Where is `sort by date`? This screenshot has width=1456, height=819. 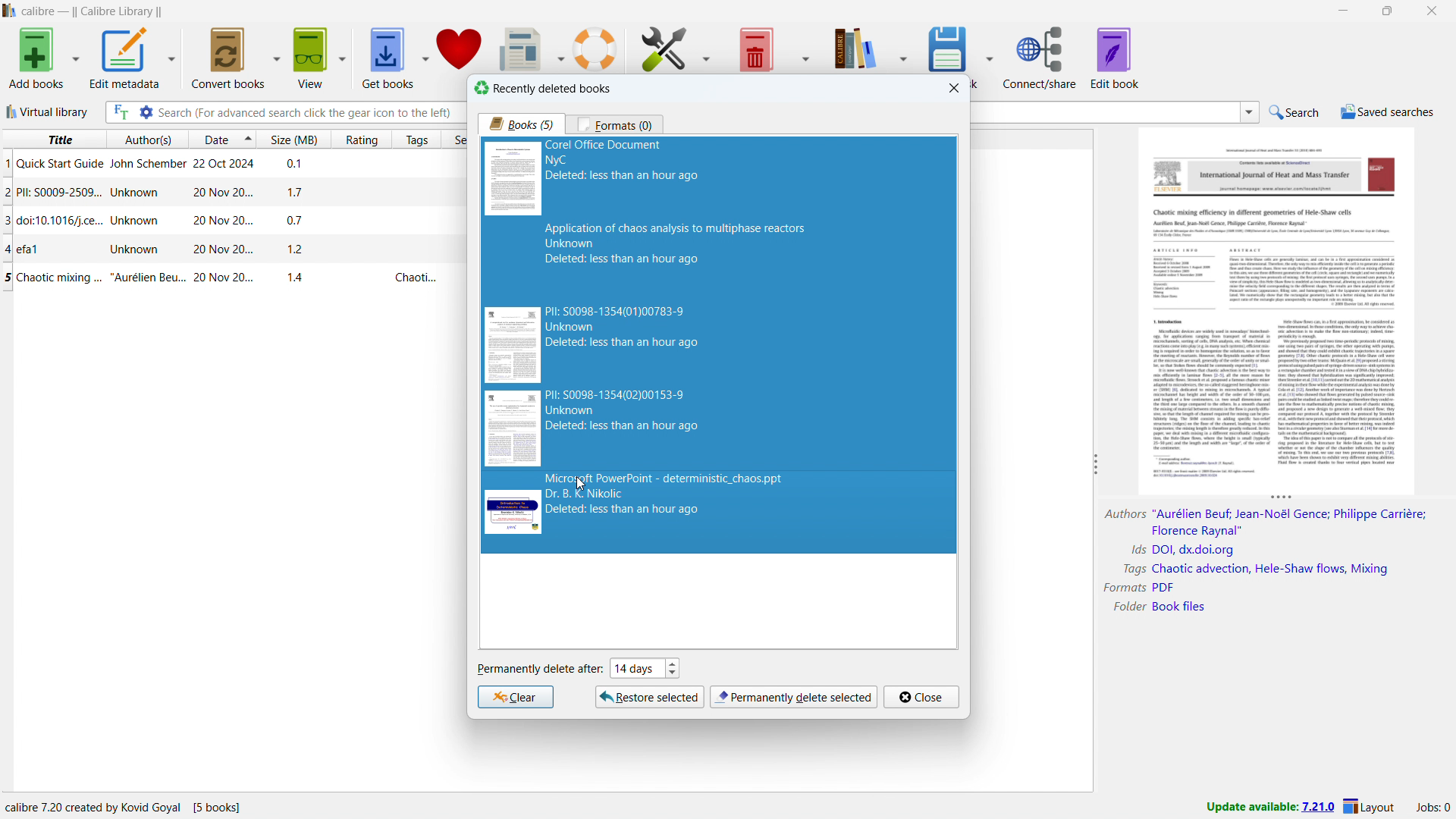
sort by date is located at coordinates (214, 139).